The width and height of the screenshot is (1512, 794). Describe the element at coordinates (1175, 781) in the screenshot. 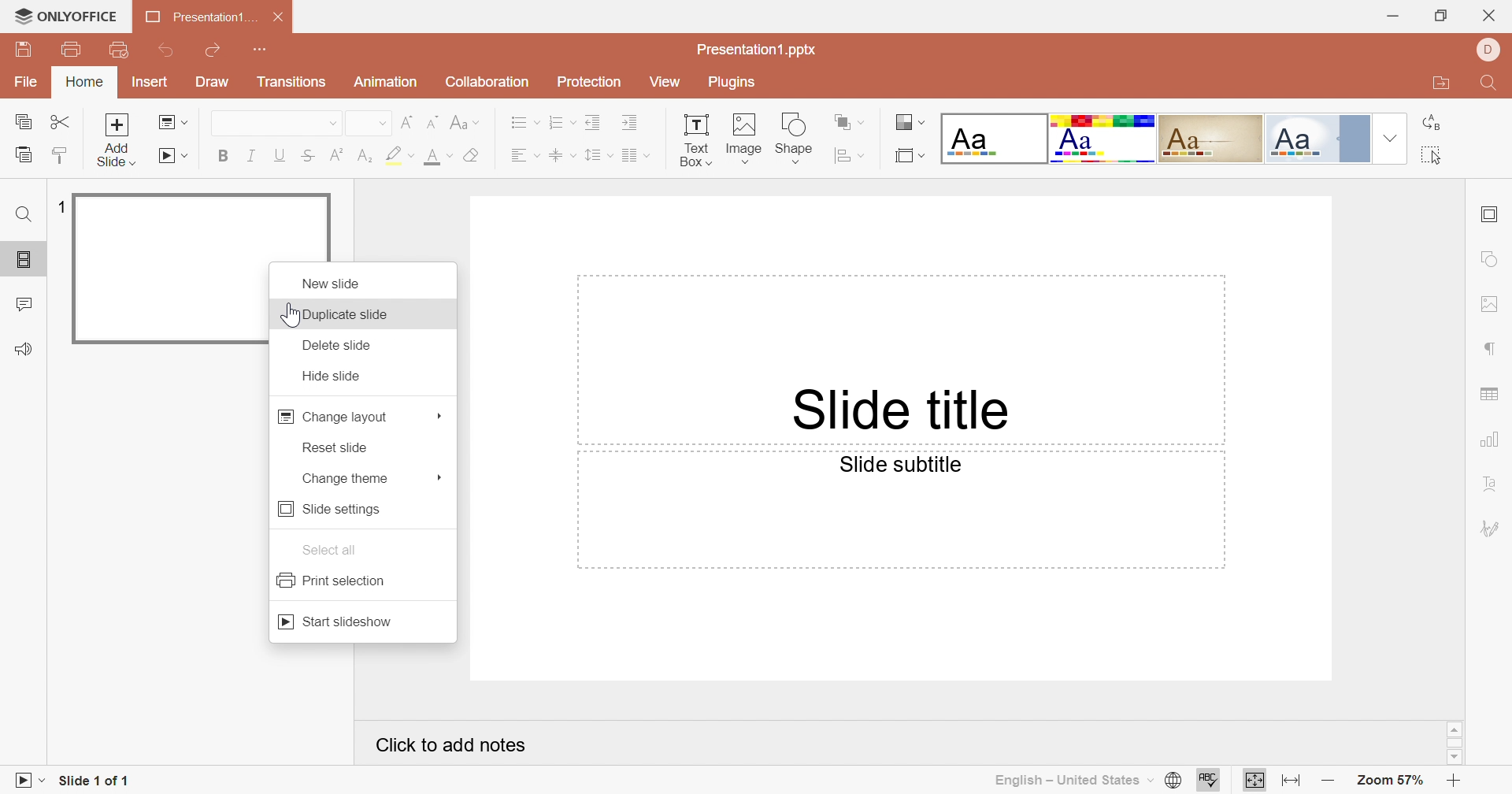

I see `Set document language` at that location.